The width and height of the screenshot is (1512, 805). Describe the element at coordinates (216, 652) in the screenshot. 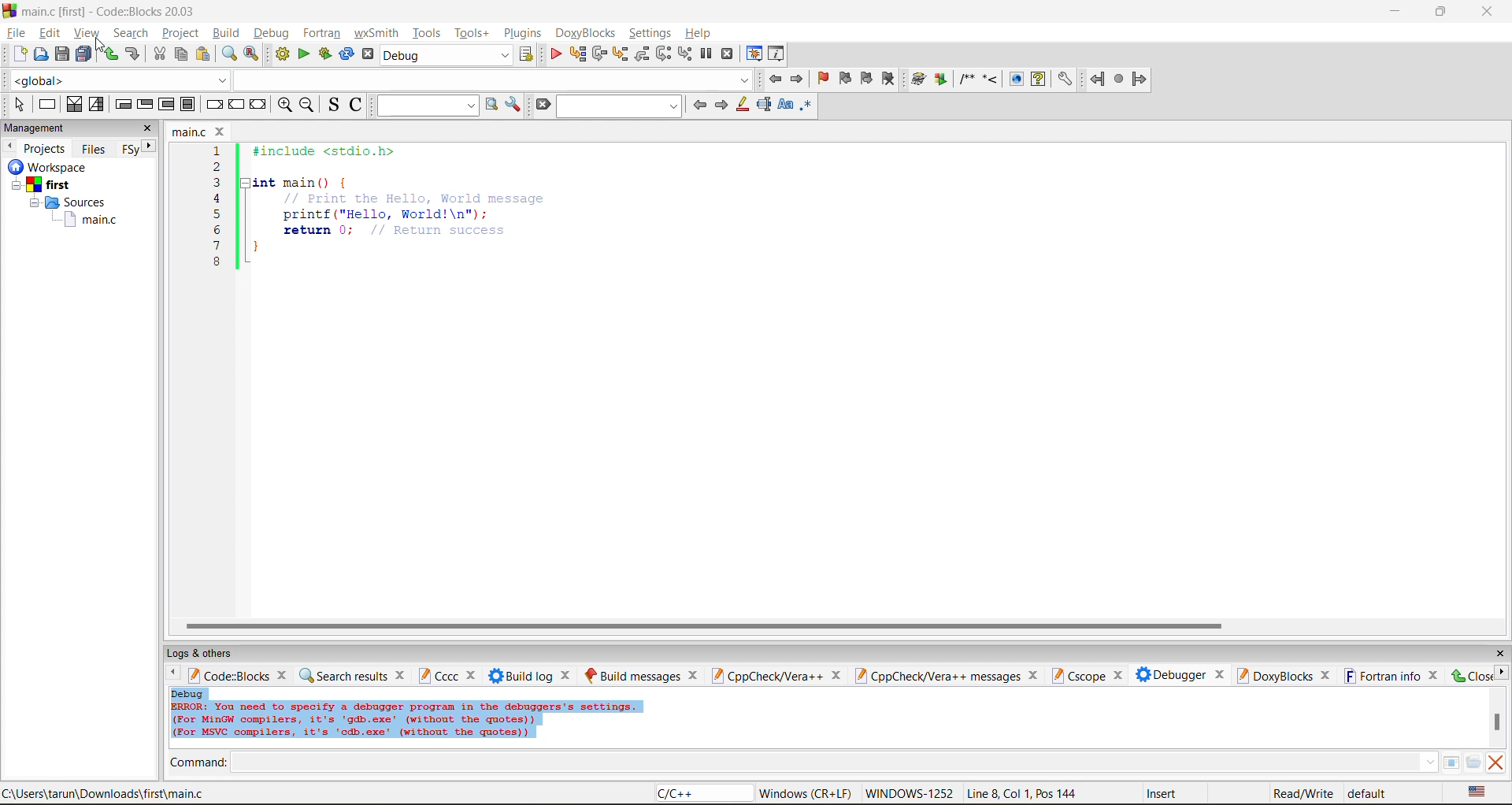

I see `logs and others` at that location.